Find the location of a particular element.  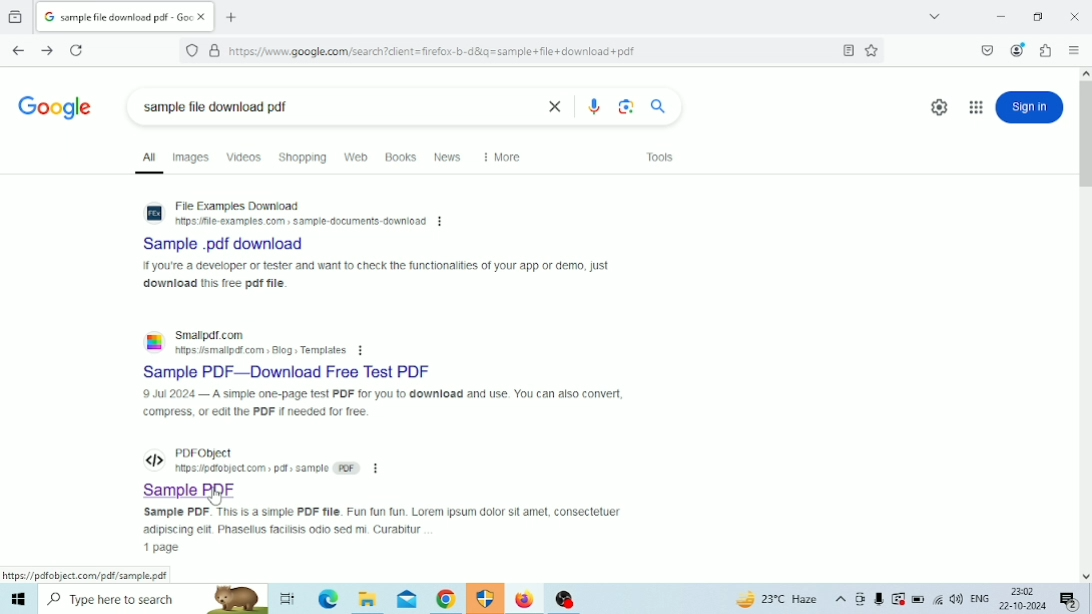

Title of the search is located at coordinates (290, 372).